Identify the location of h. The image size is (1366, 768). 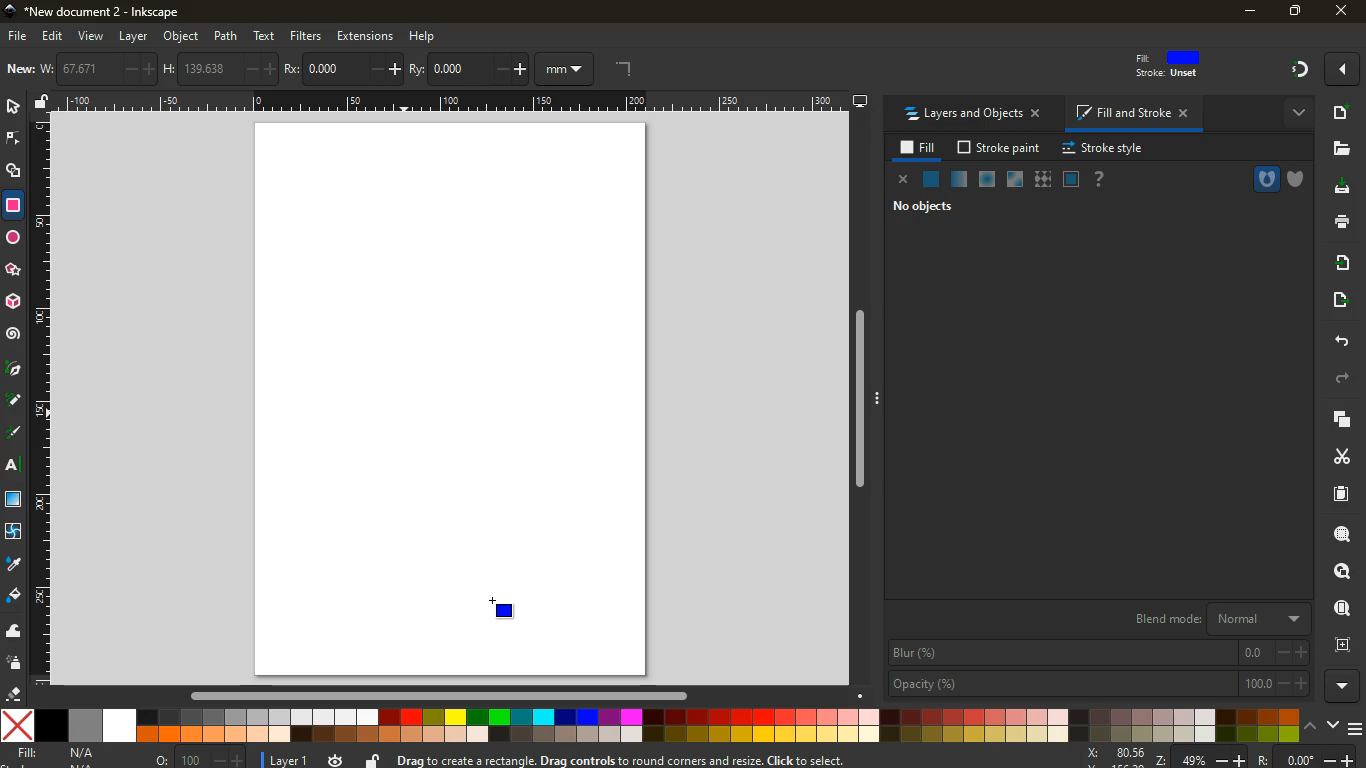
(220, 69).